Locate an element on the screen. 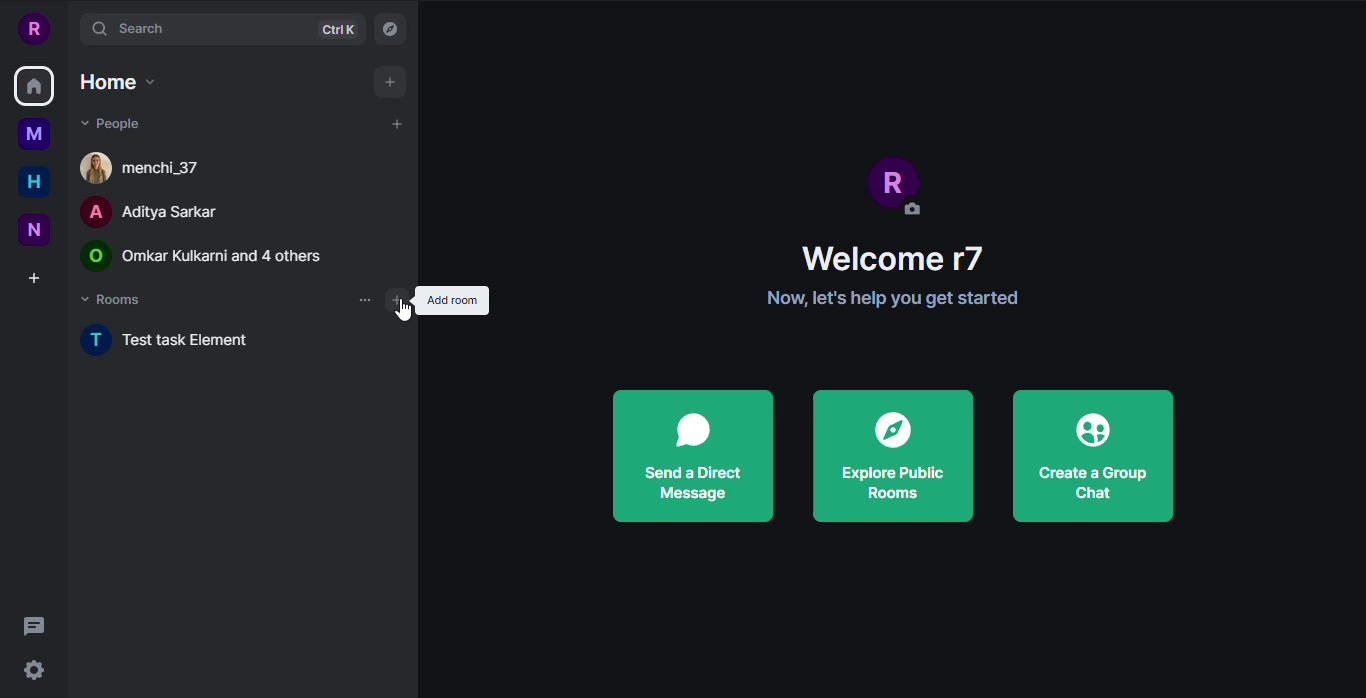  create a space is located at coordinates (34, 278).